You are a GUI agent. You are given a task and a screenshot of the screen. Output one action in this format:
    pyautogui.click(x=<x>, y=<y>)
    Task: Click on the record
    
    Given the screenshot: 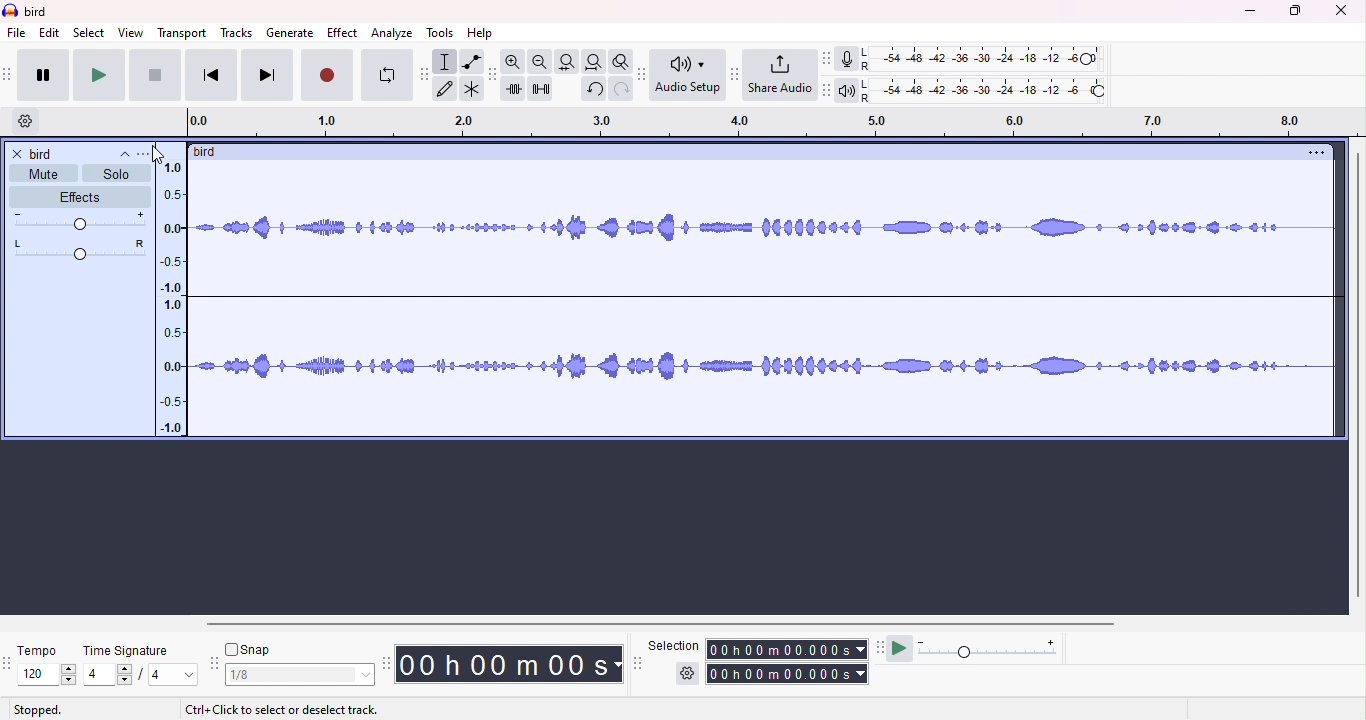 What is the action you would take?
    pyautogui.click(x=327, y=74)
    